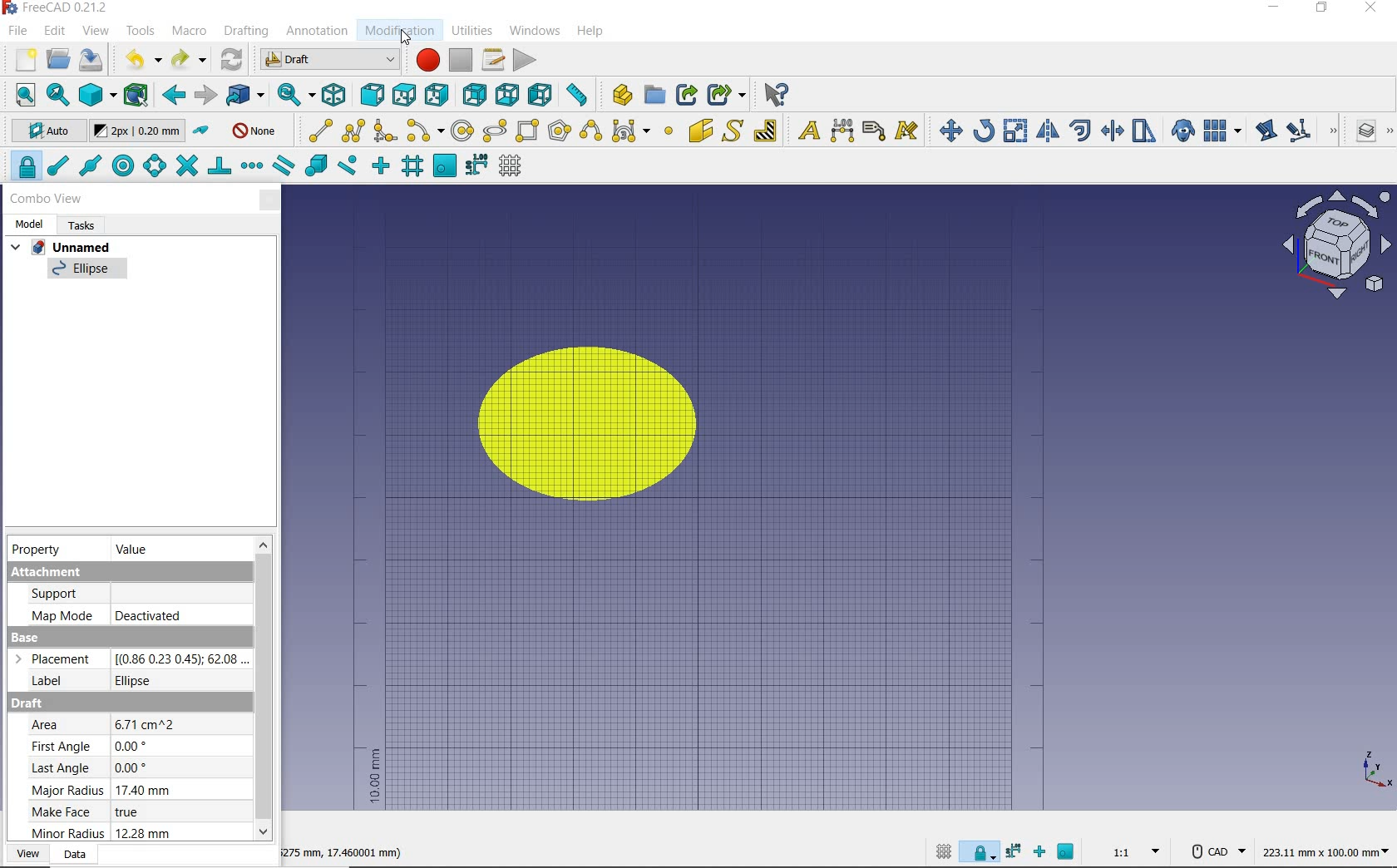  Describe the element at coordinates (246, 32) in the screenshot. I see `drafting` at that location.